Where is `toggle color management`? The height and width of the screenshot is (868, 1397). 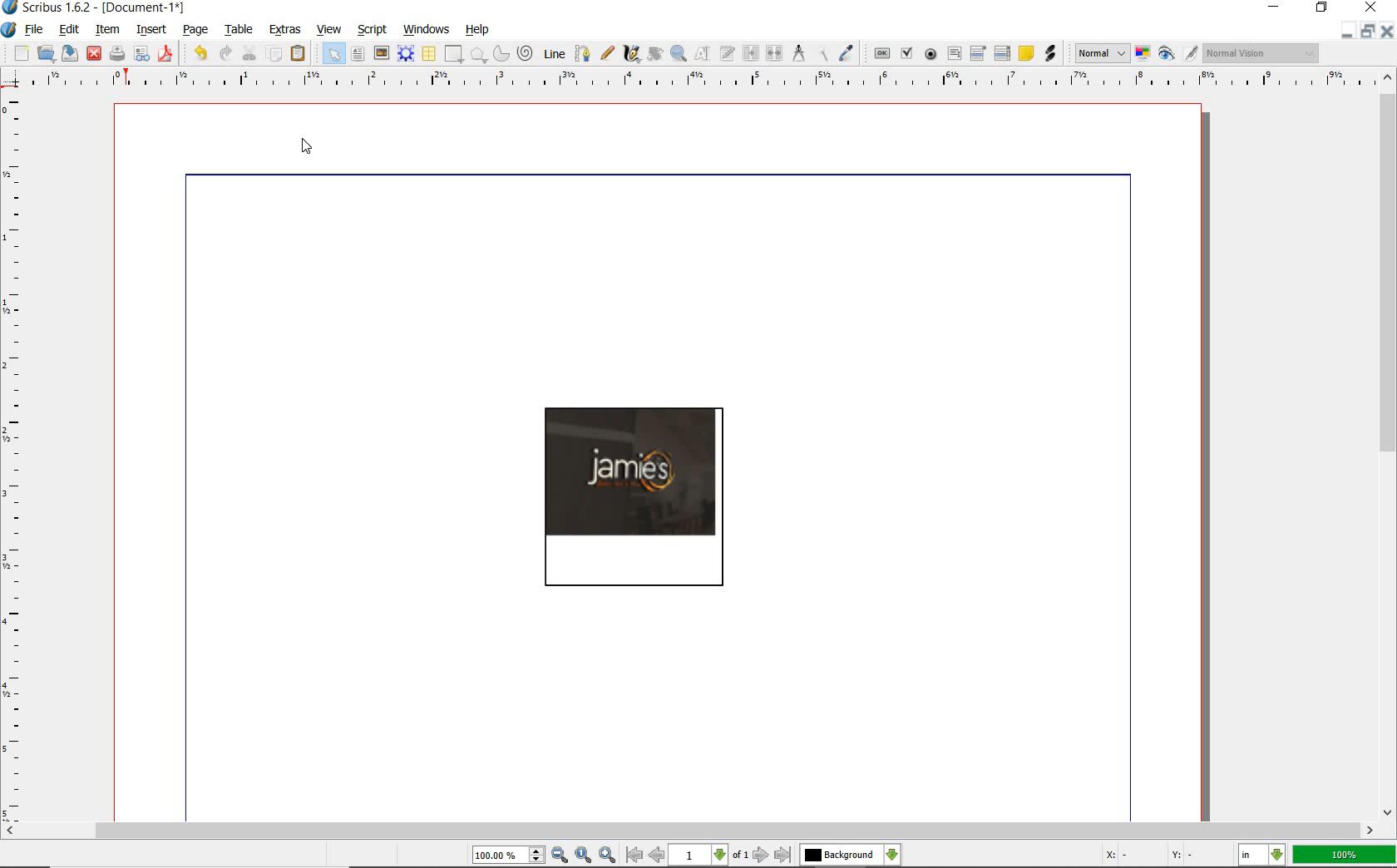
toggle color management is located at coordinates (1142, 54).